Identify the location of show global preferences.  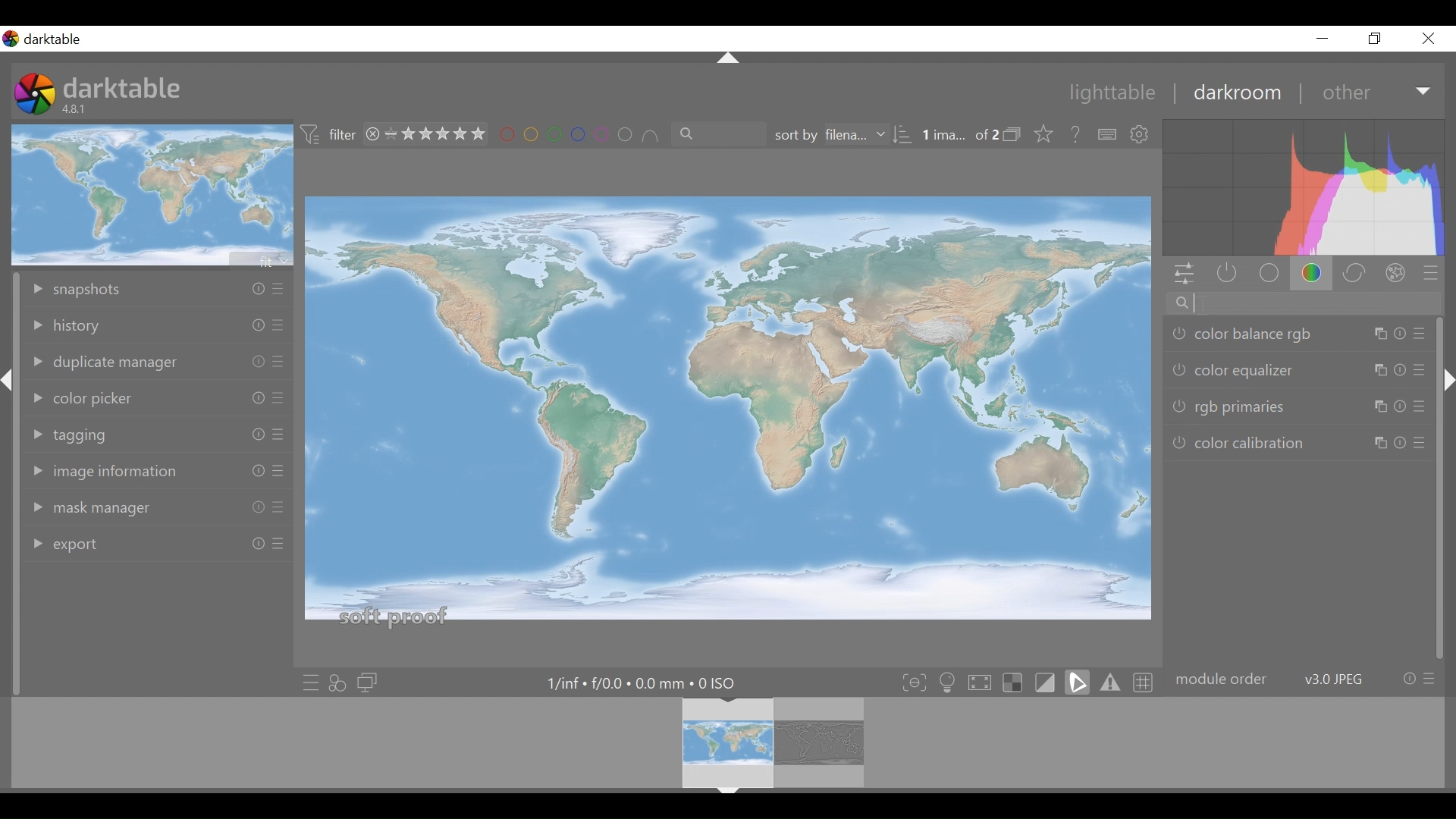
(1143, 136).